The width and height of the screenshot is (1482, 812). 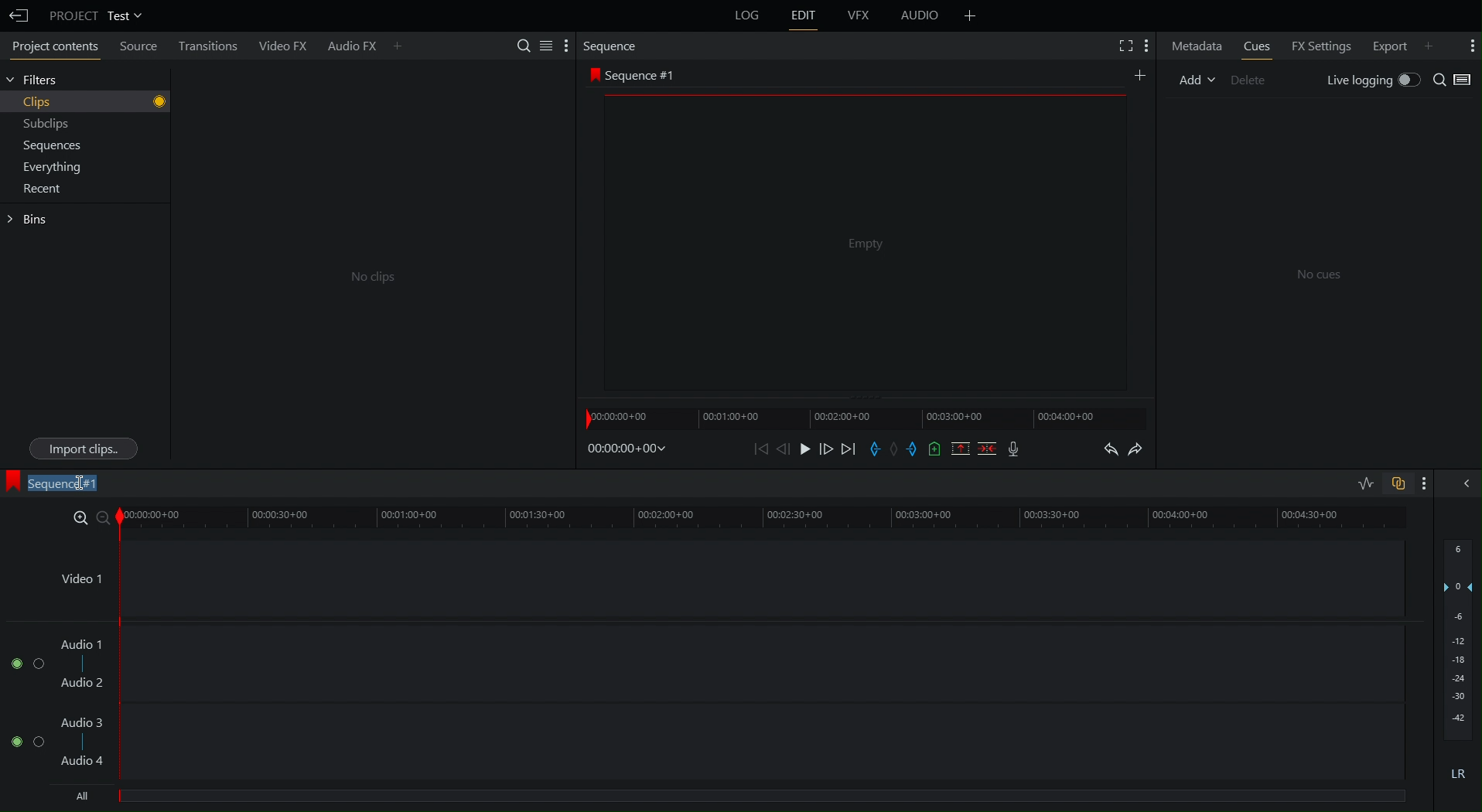 I want to click on Timeline, so click(x=767, y=515).